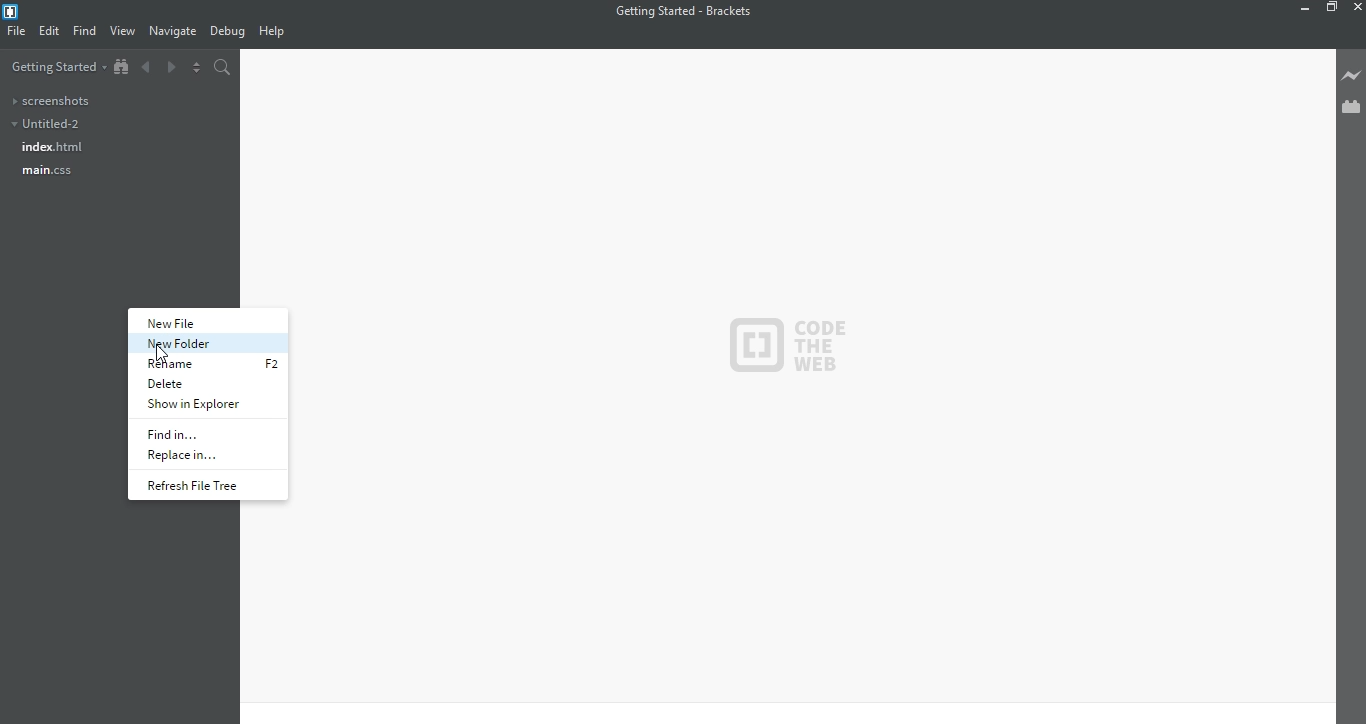  I want to click on show in explorer, so click(197, 405).